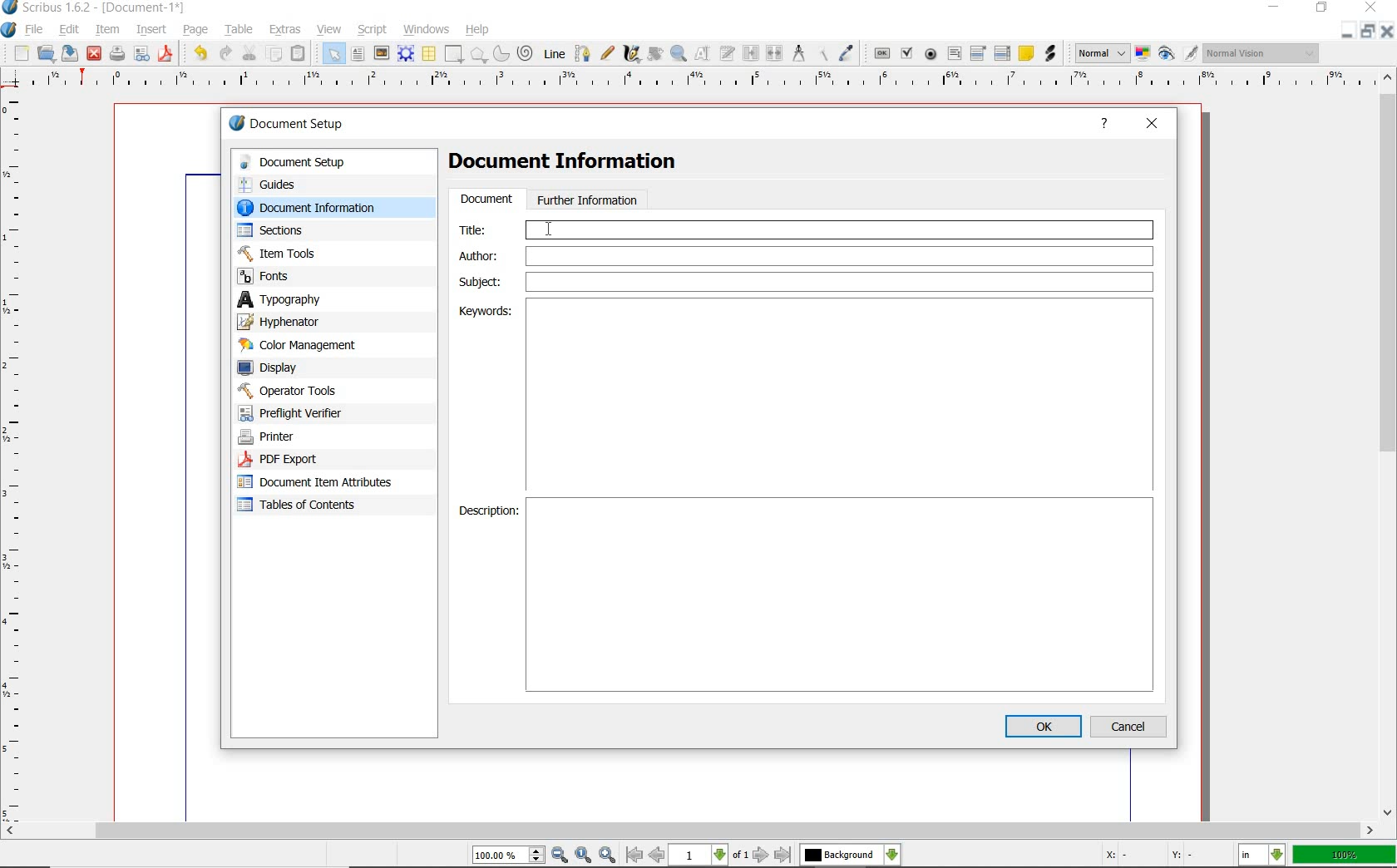 The height and width of the screenshot is (868, 1397). Describe the element at coordinates (1262, 52) in the screenshot. I see `visual appearance of the display` at that location.